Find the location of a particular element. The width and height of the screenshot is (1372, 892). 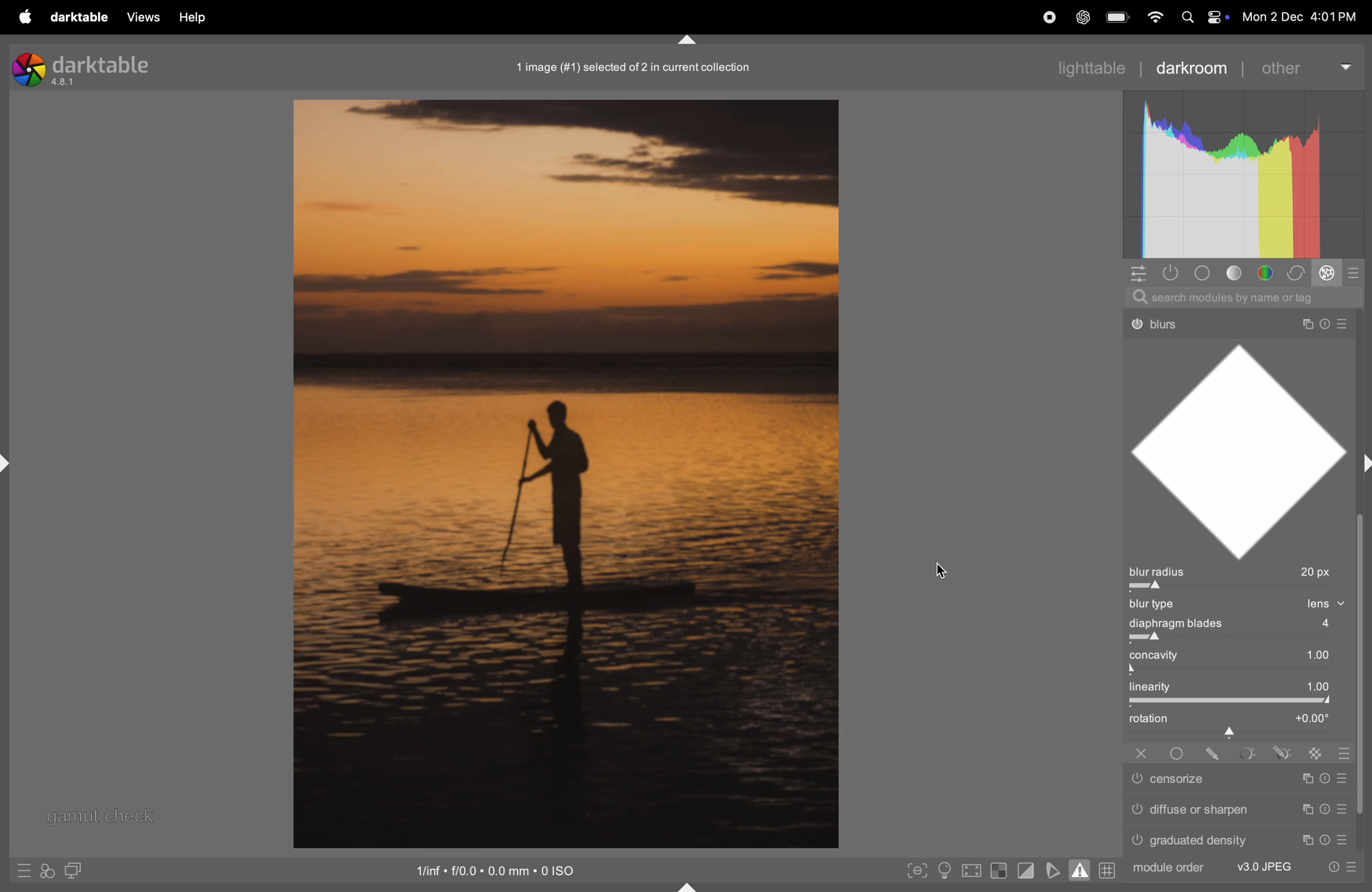

base is located at coordinates (1206, 273).